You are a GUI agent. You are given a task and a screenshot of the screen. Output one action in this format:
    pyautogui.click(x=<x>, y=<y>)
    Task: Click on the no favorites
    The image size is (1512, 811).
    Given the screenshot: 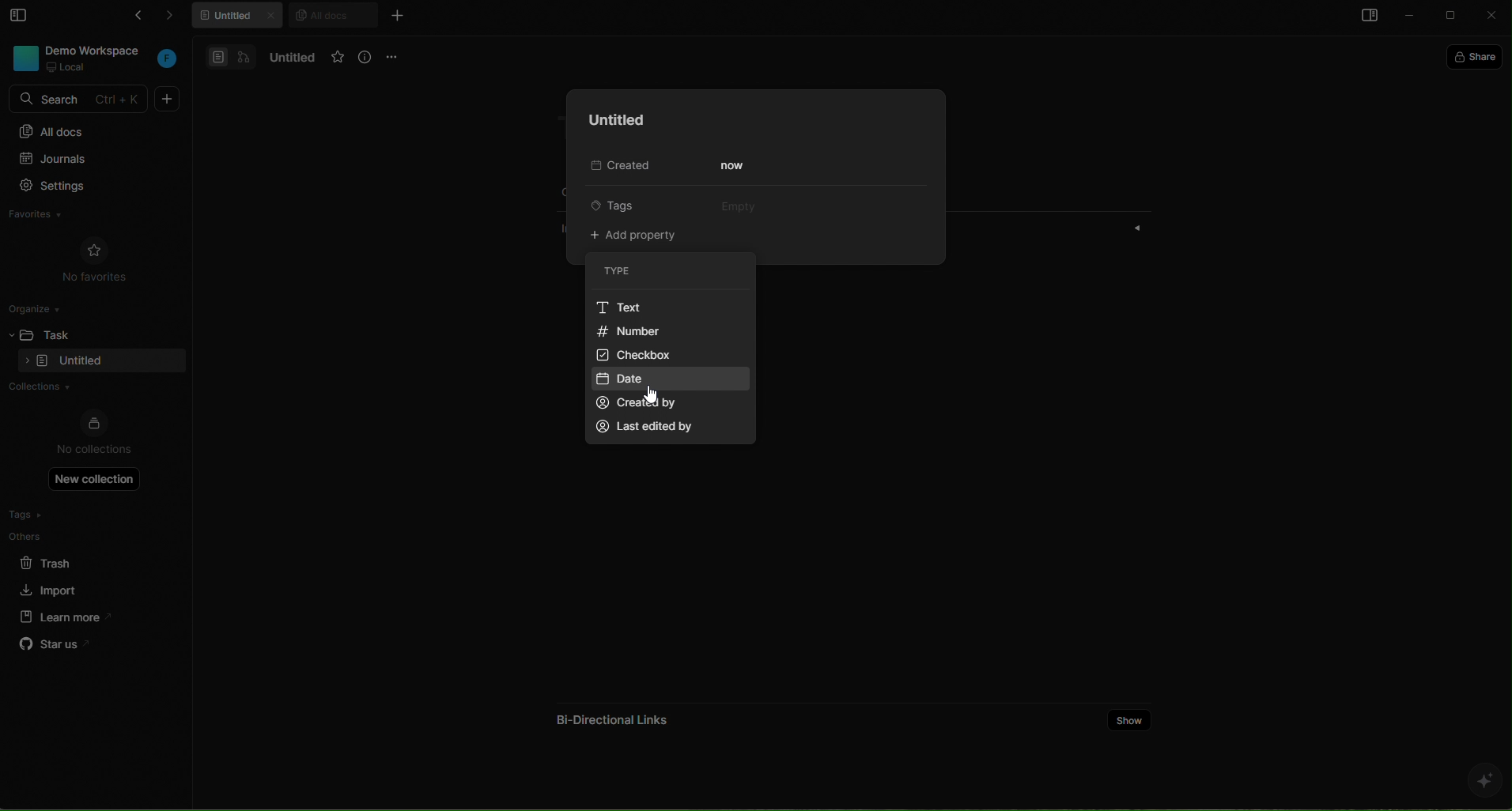 What is the action you would take?
    pyautogui.click(x=95, y=258)
    